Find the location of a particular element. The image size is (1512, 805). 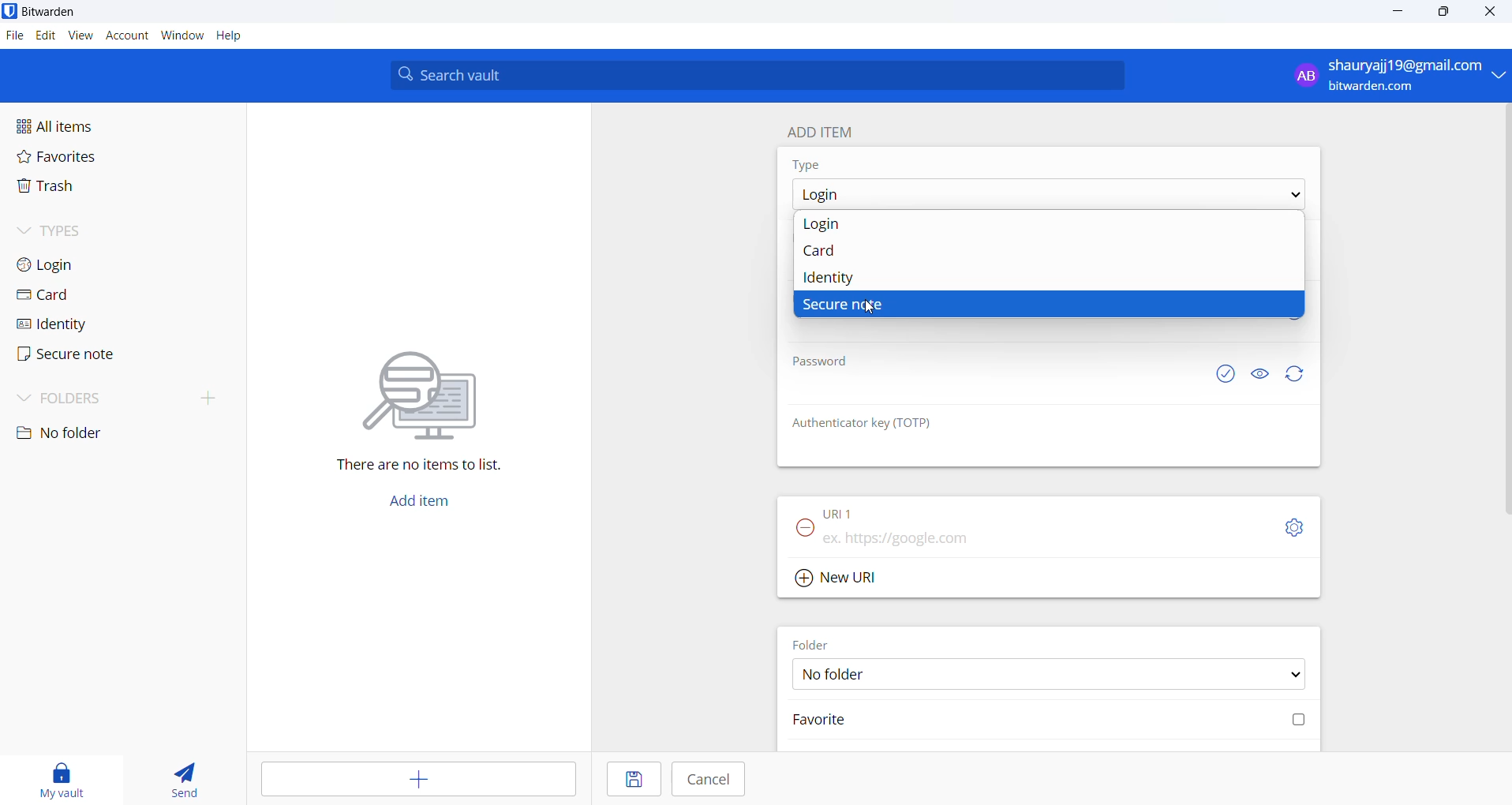

cancel is located at coordinates (713, 781).